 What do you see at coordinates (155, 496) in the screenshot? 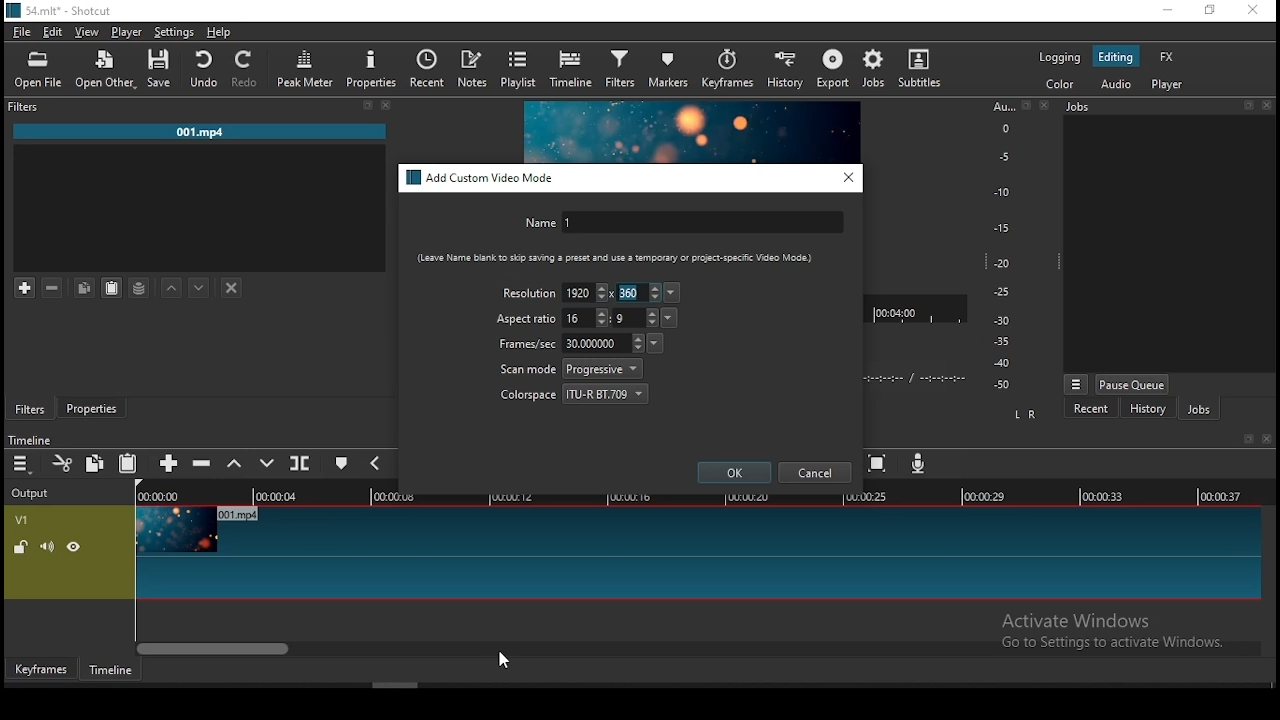
I see `00:00:00` at bounding box center [155, 496].